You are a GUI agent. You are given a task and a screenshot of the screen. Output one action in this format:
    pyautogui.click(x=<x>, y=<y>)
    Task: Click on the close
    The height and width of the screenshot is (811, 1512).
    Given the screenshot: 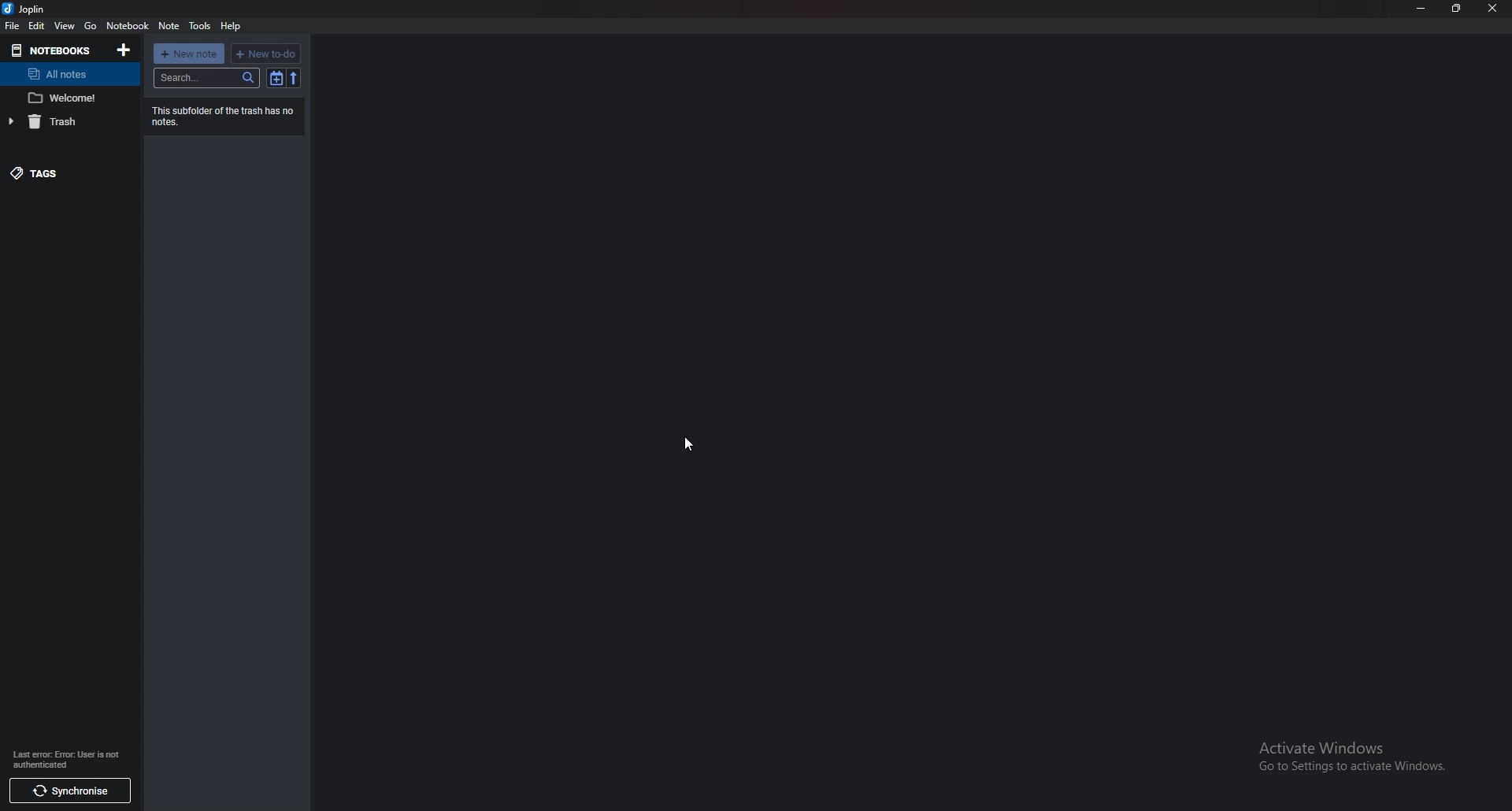 What is the action you would take?
    pyautogui.click(x=1492, y=8)
    